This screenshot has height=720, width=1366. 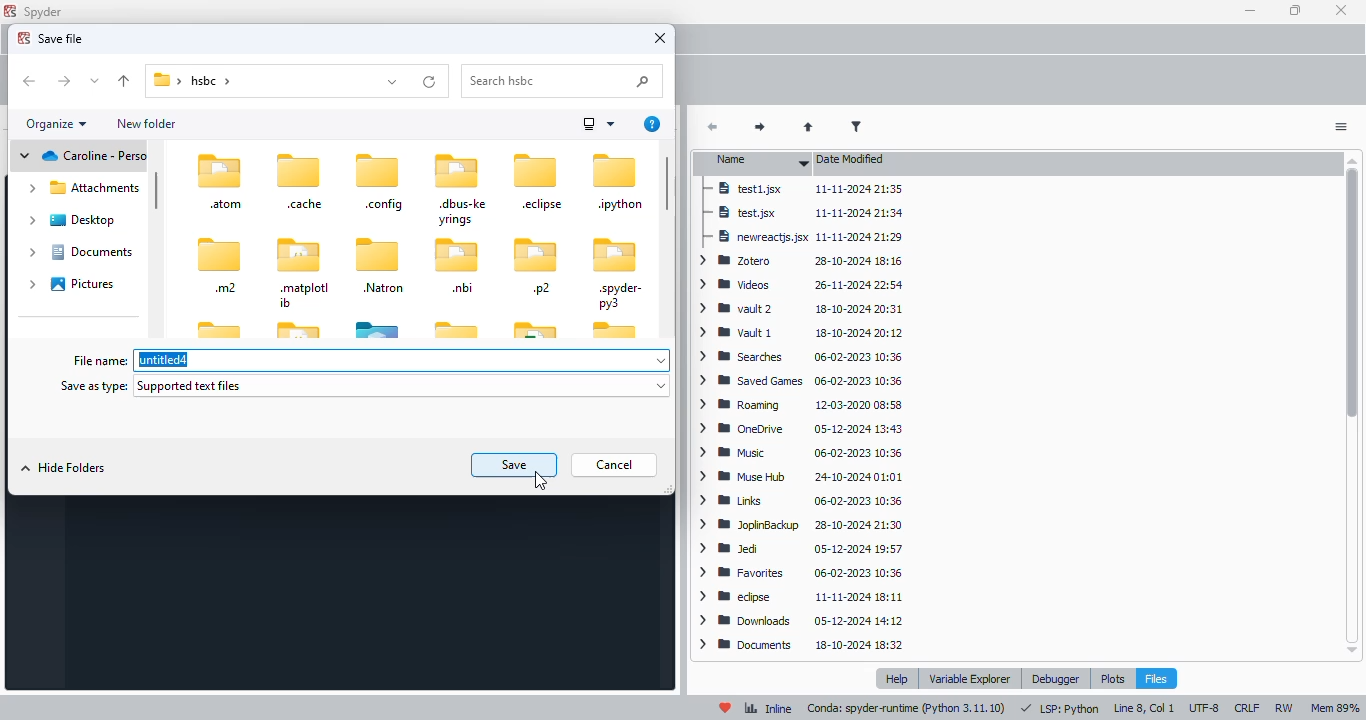 What do you see at coordinates (876, 419) in the screenshot?
I see `modified dates of folder` at bounding box center [876, 419].